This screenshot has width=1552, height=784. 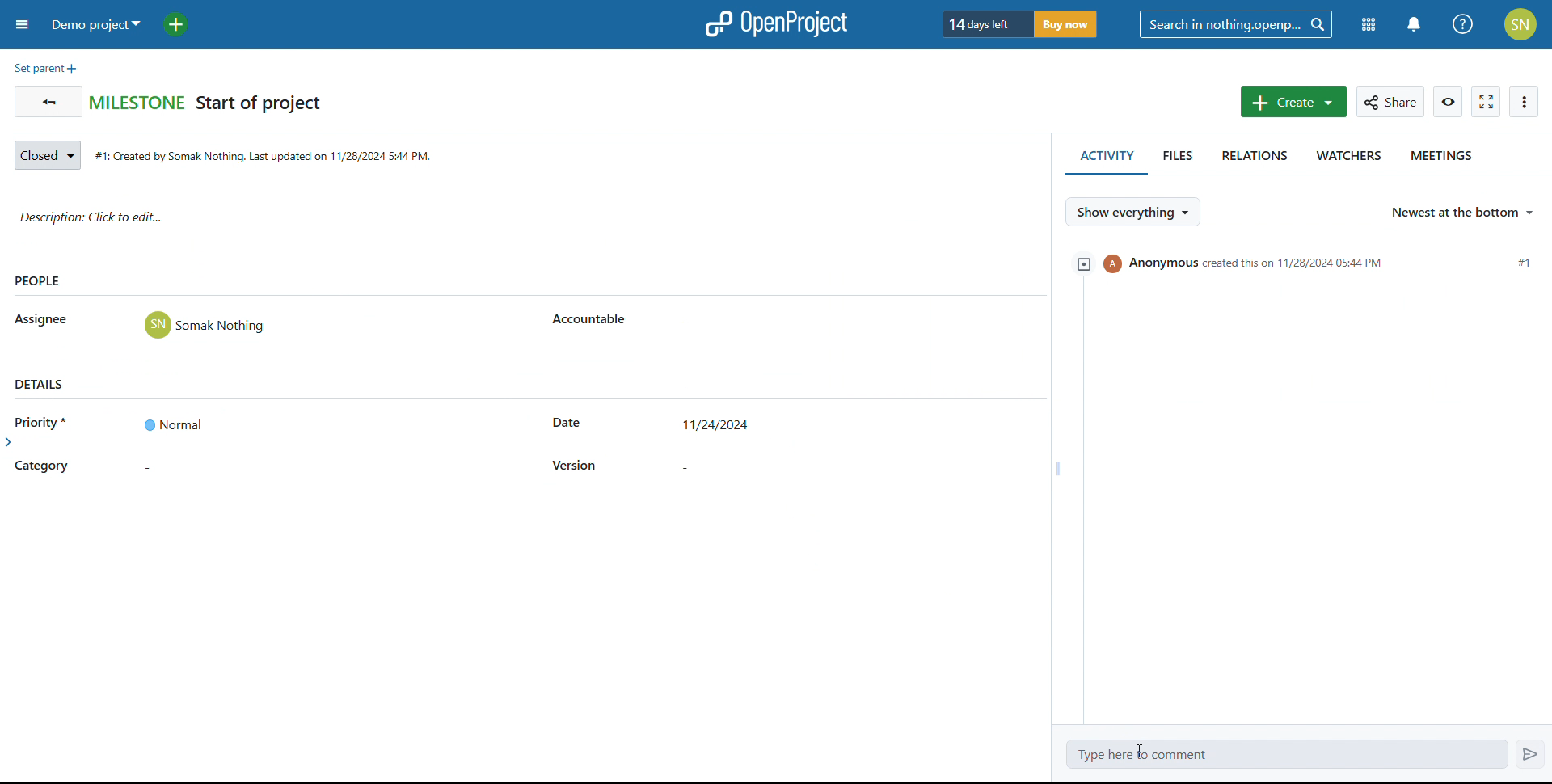 I want to click on activate zen mode, so click(x=1487, y=103).